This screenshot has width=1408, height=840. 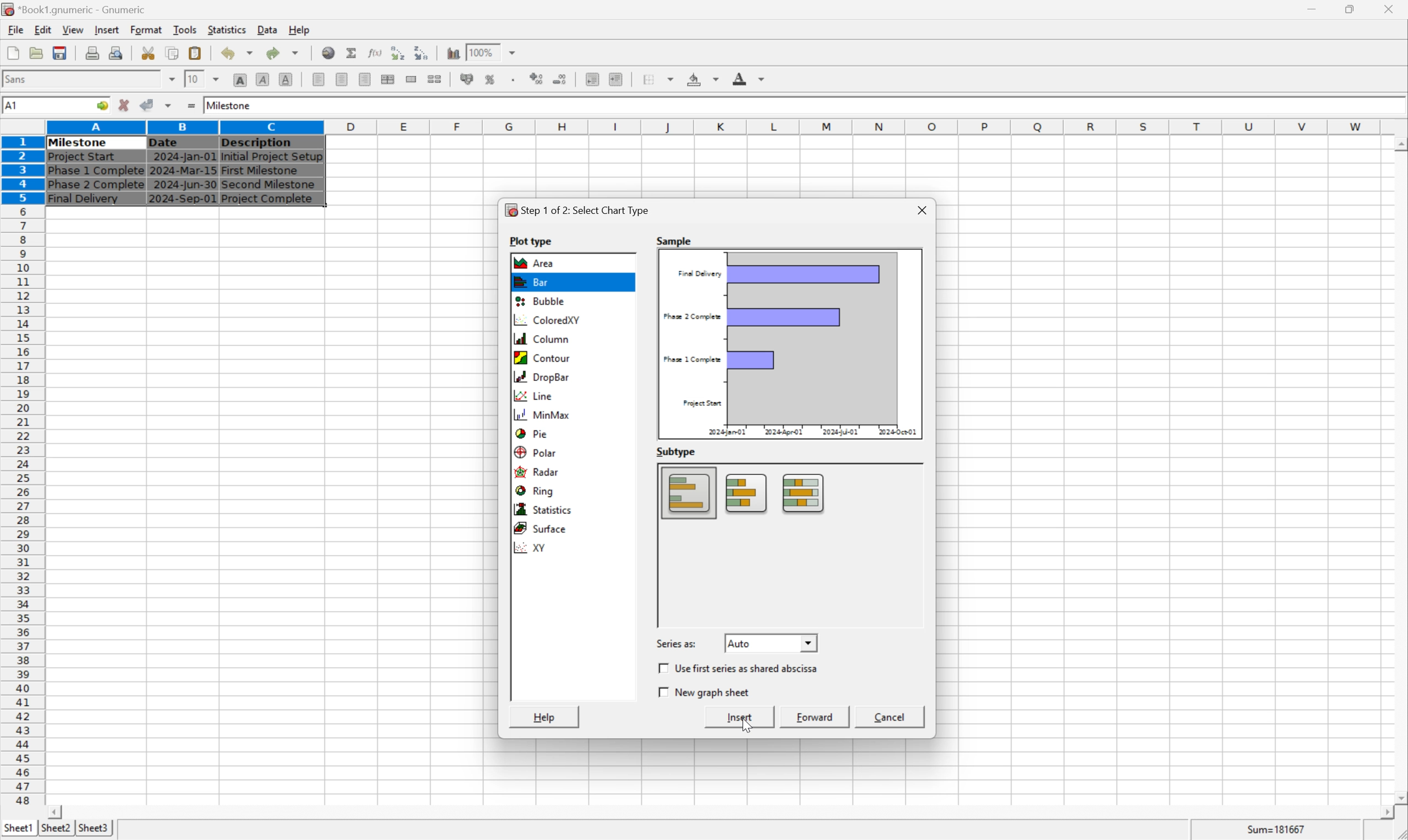 I want to click on increase number of decimals displayed, so click(x=538, y=79).